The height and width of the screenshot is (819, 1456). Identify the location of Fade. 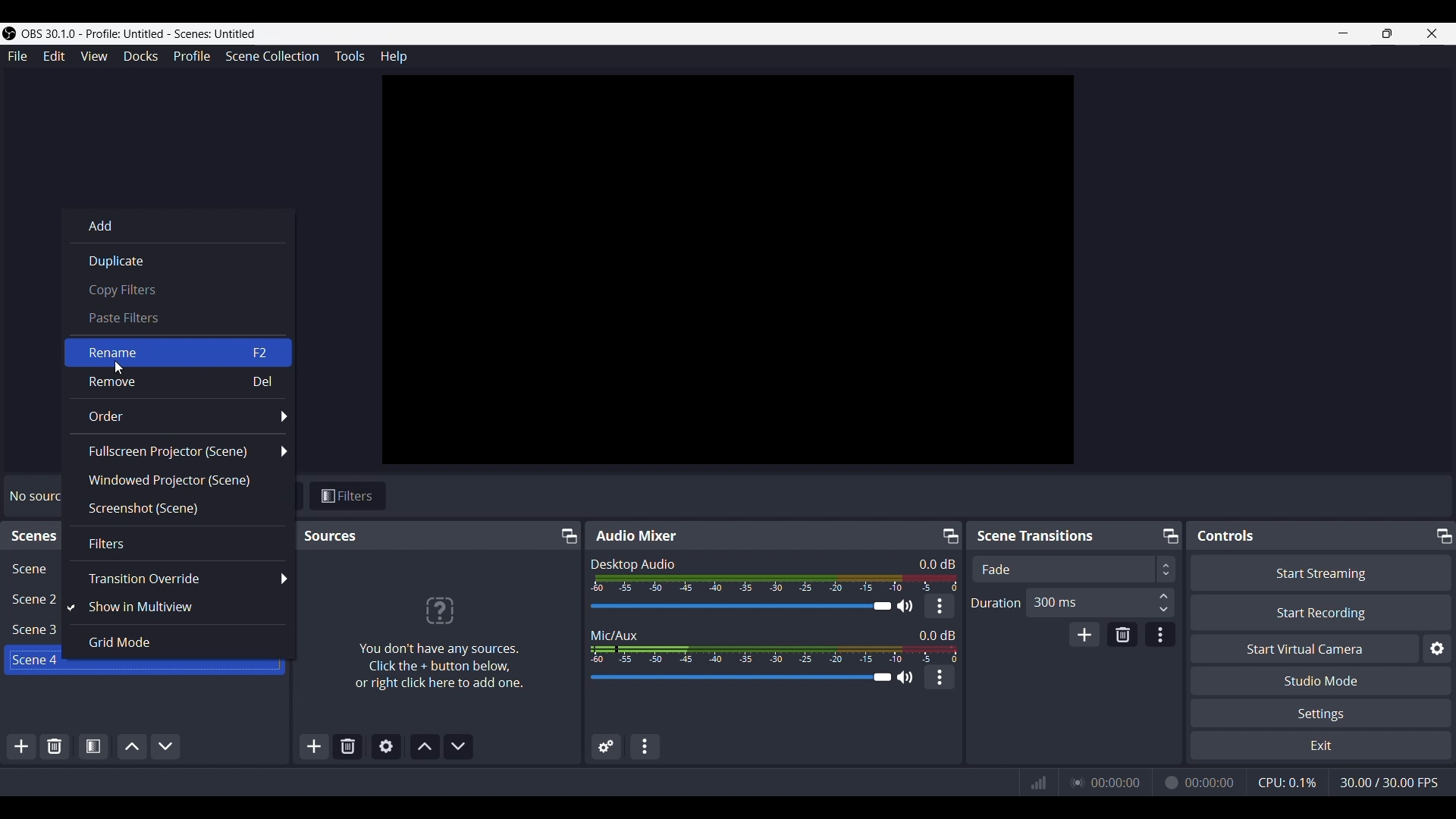
(996, 570).